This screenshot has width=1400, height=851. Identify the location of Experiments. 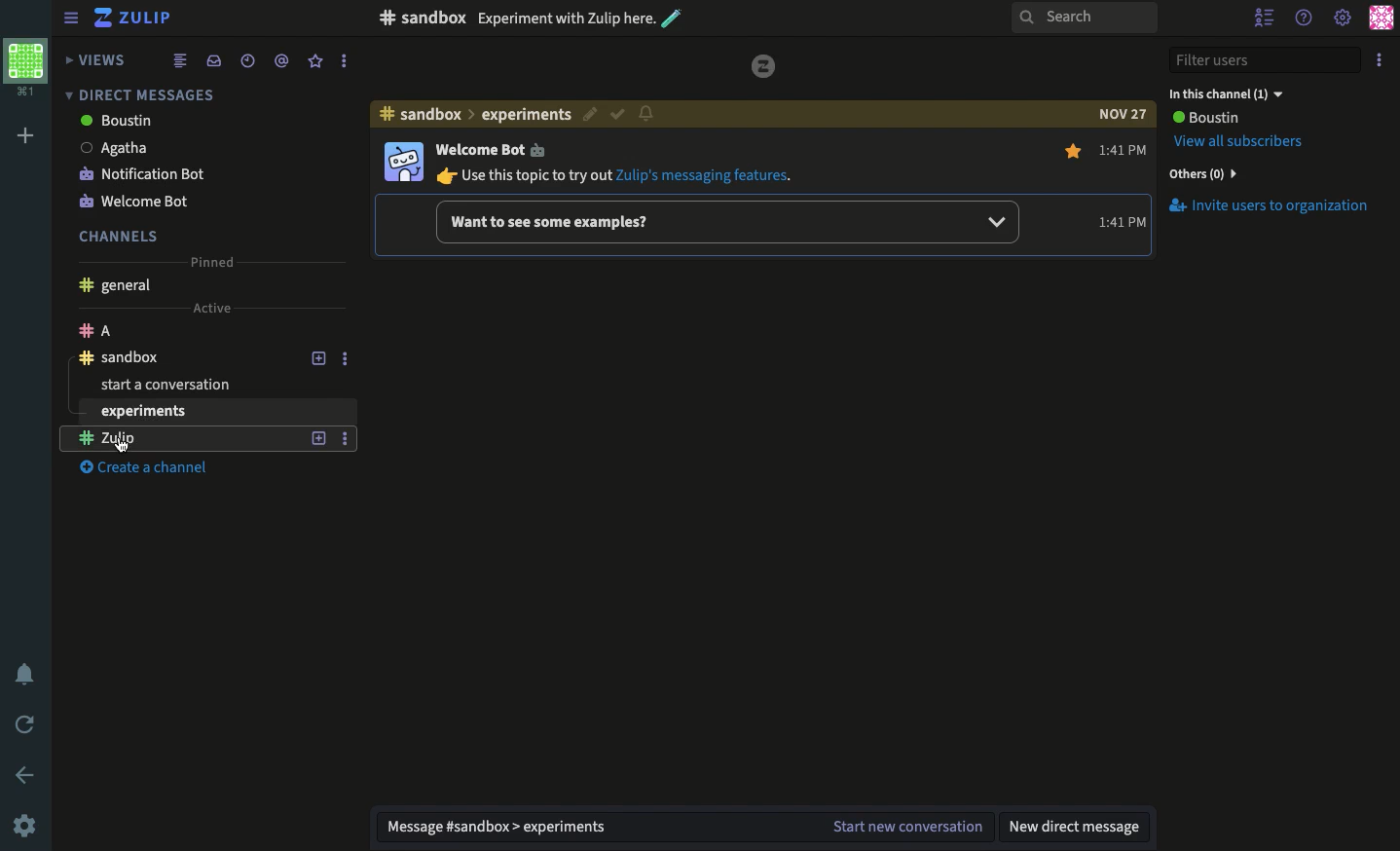
(166, 439).